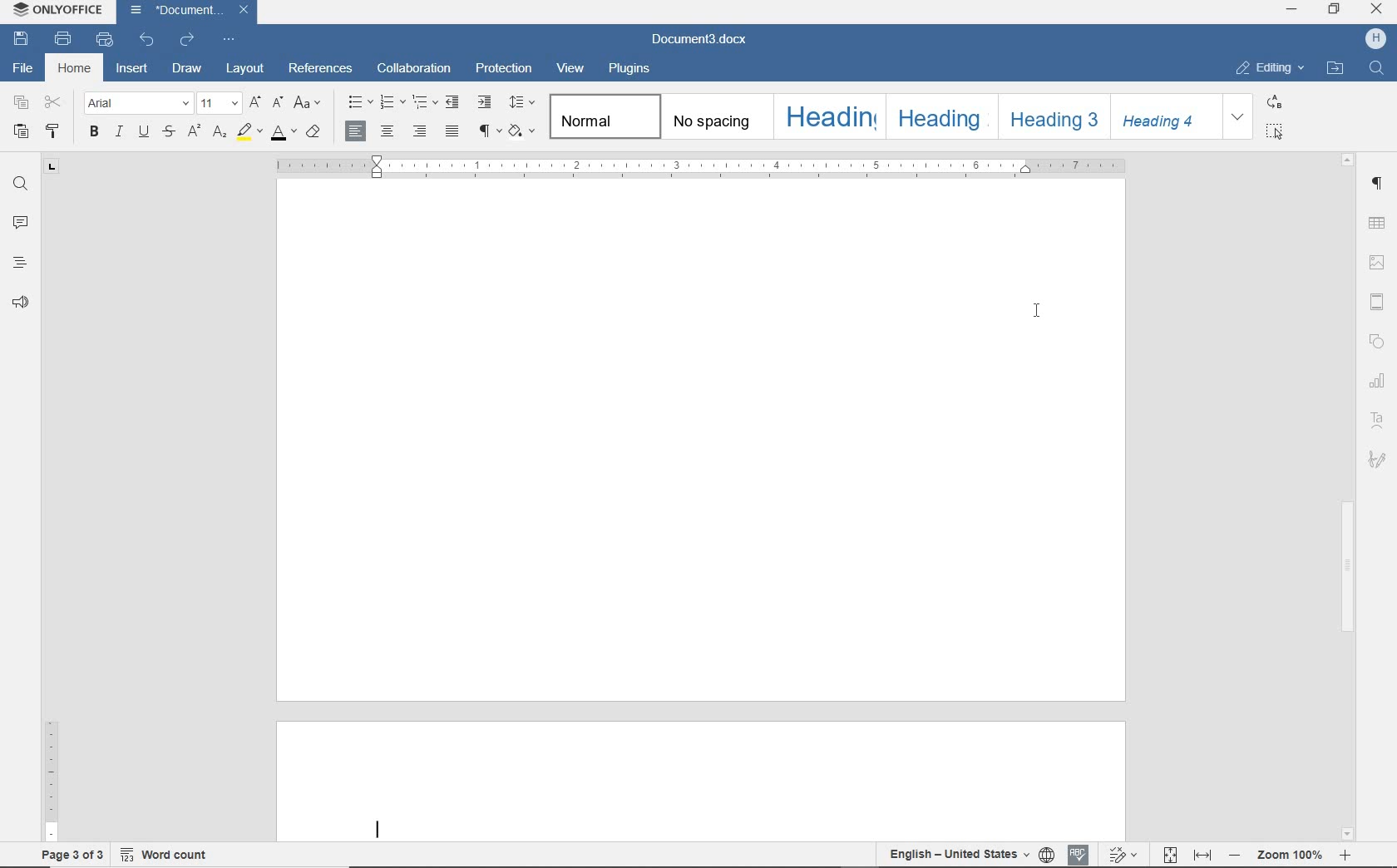 The height and width of the screenshot is (868, 1397). I want to click on DECREASE INDENT, so click(452, 104).